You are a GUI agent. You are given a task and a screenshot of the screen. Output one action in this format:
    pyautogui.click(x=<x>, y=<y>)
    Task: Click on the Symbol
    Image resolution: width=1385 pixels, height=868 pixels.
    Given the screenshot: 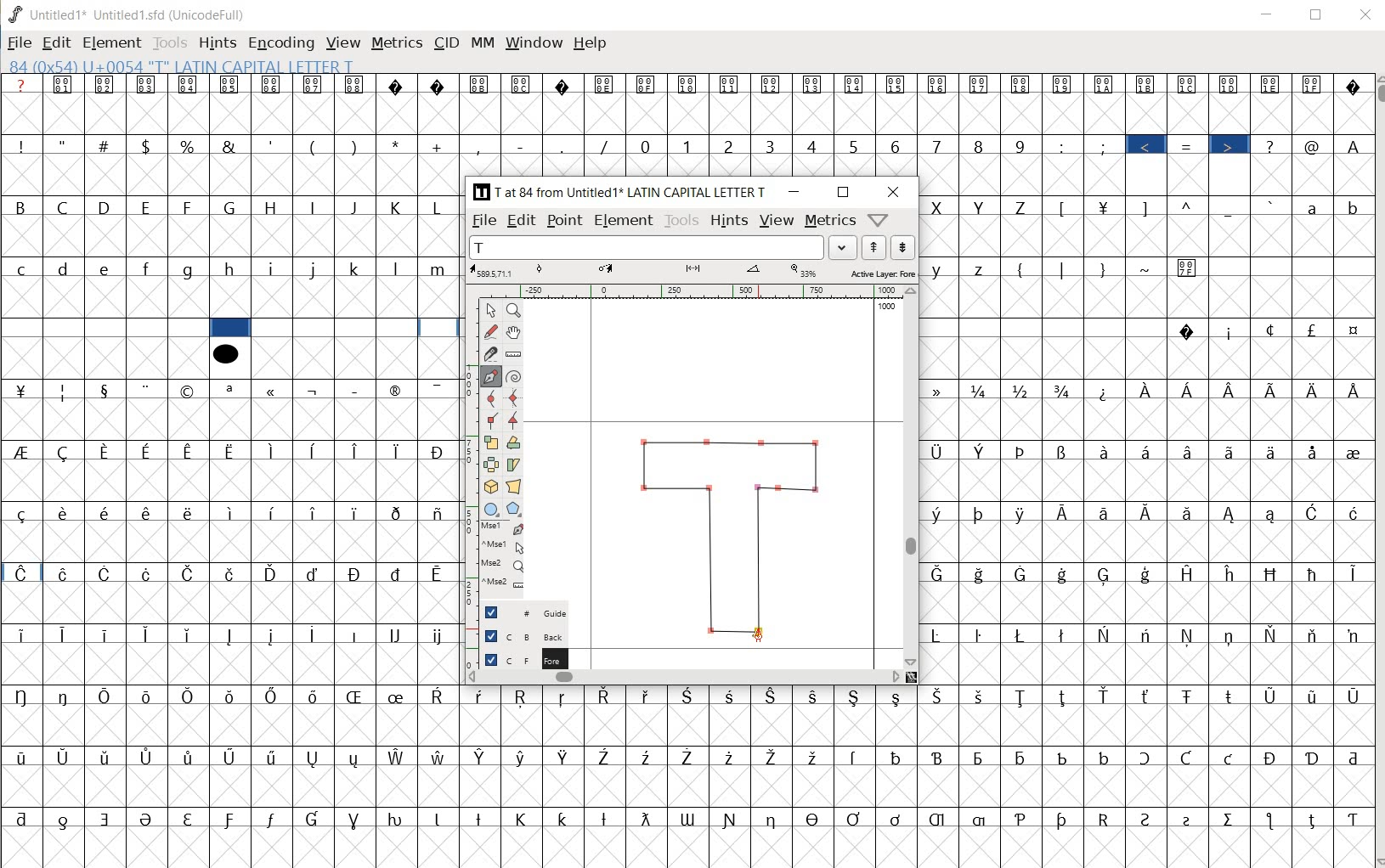 What is the action you would take?
    pyautogui.click(x=314, y=696)
    